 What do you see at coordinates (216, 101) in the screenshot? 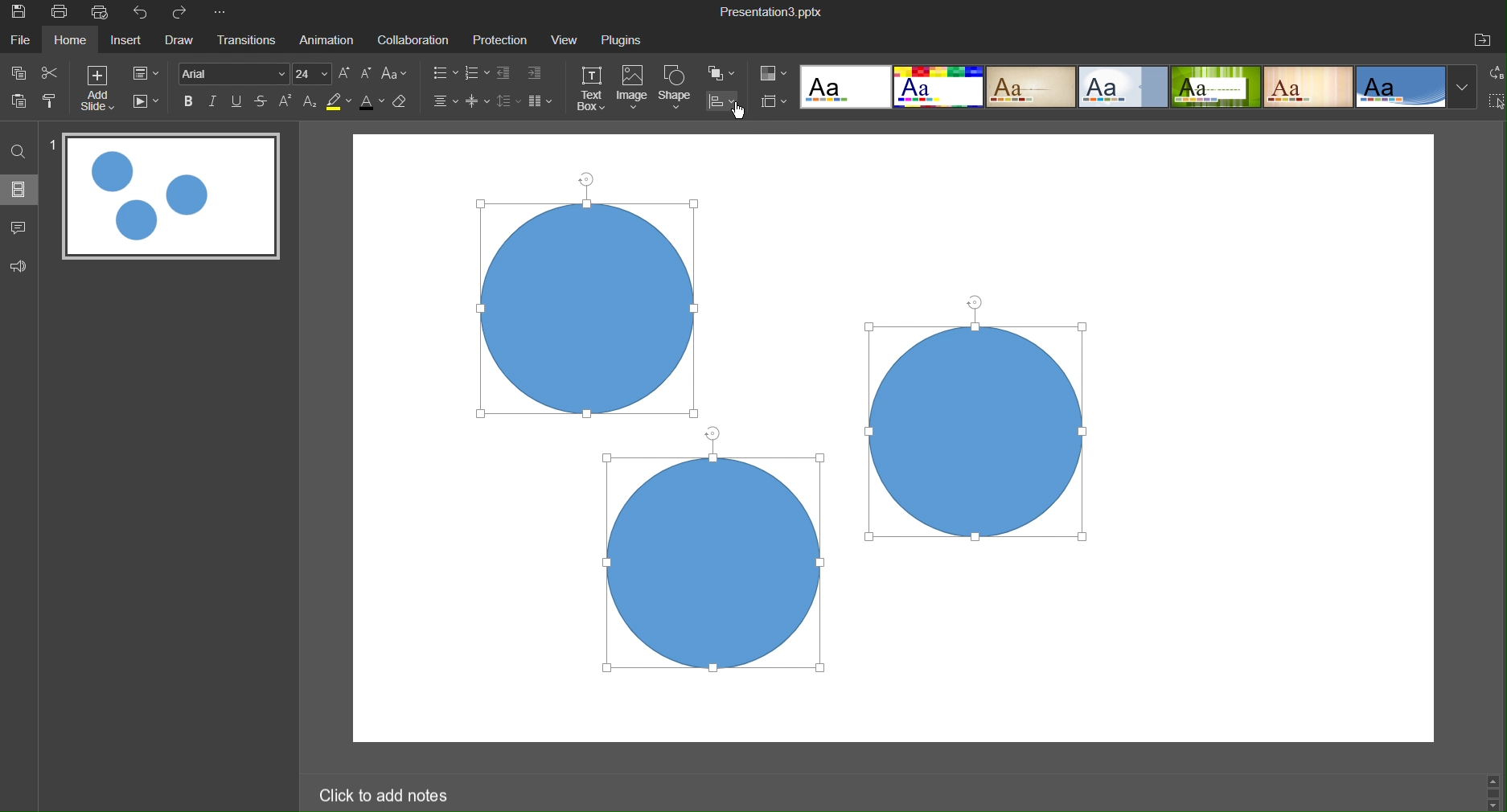
I see `Italic` at bounding box center [216, 101].